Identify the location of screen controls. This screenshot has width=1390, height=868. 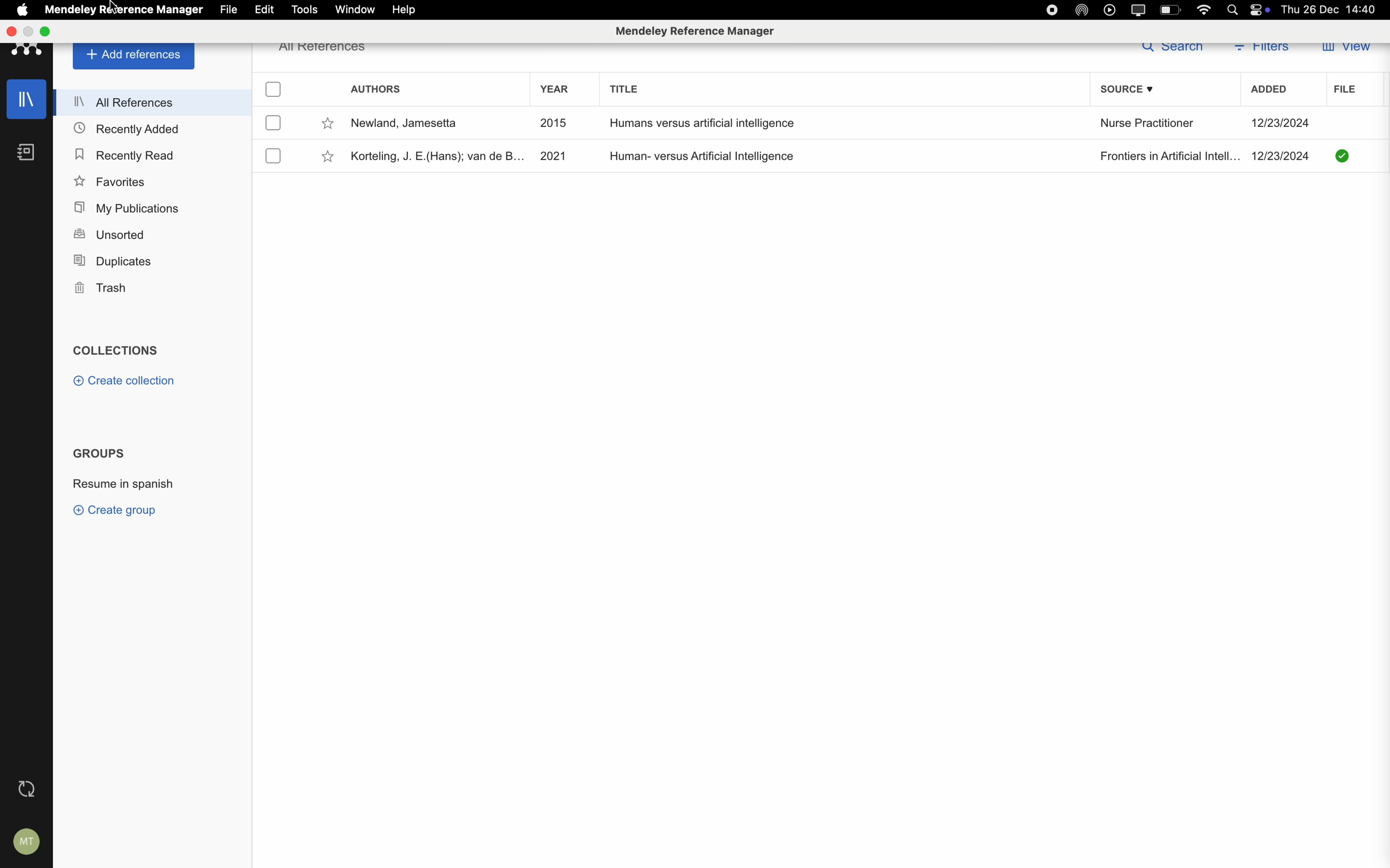
(1262, 11).